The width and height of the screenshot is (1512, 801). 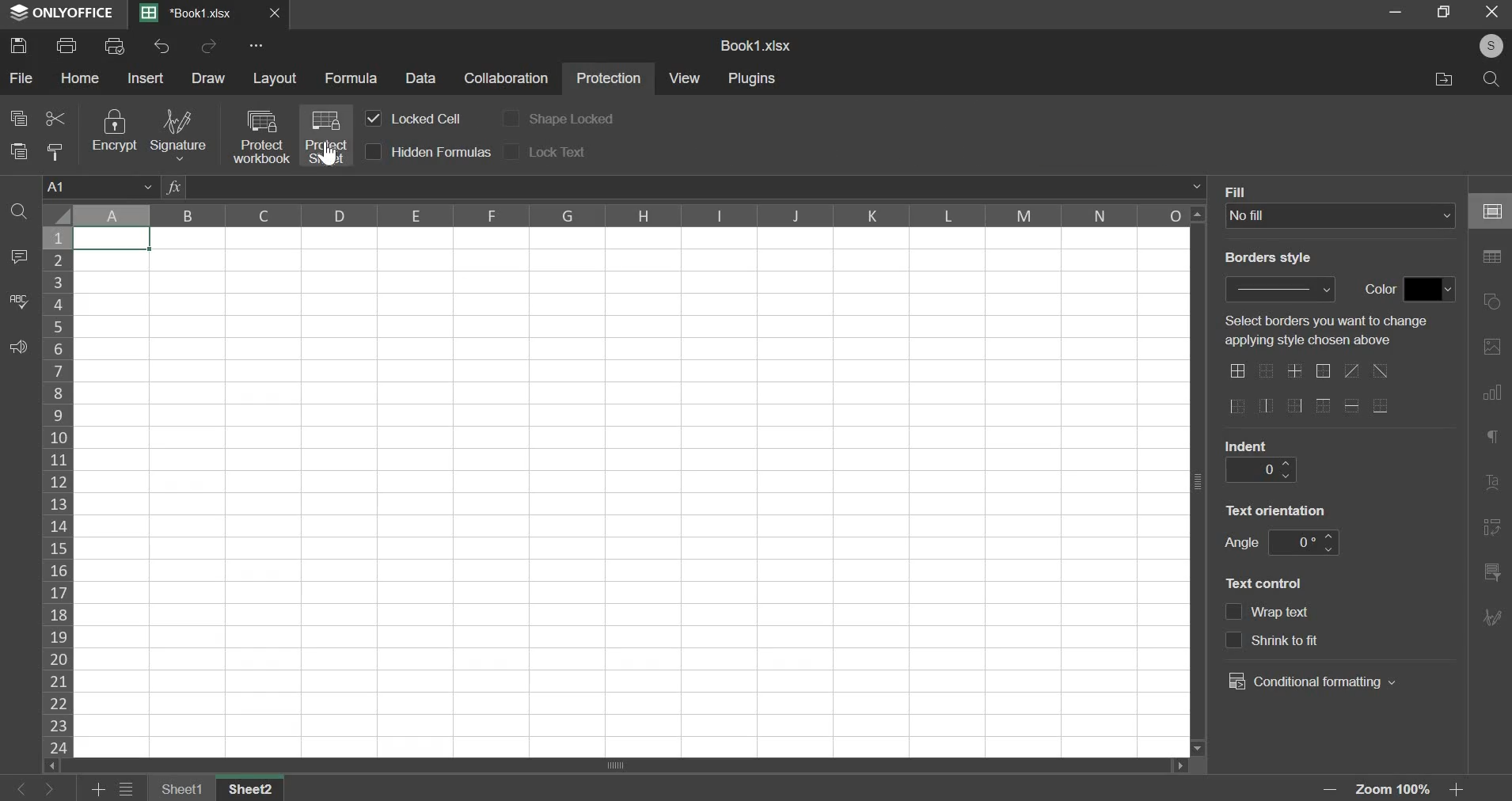 What do you see at coordinates (1259, 469) in the screenshot?
I see `indent` at bounding box center [1259, 469].